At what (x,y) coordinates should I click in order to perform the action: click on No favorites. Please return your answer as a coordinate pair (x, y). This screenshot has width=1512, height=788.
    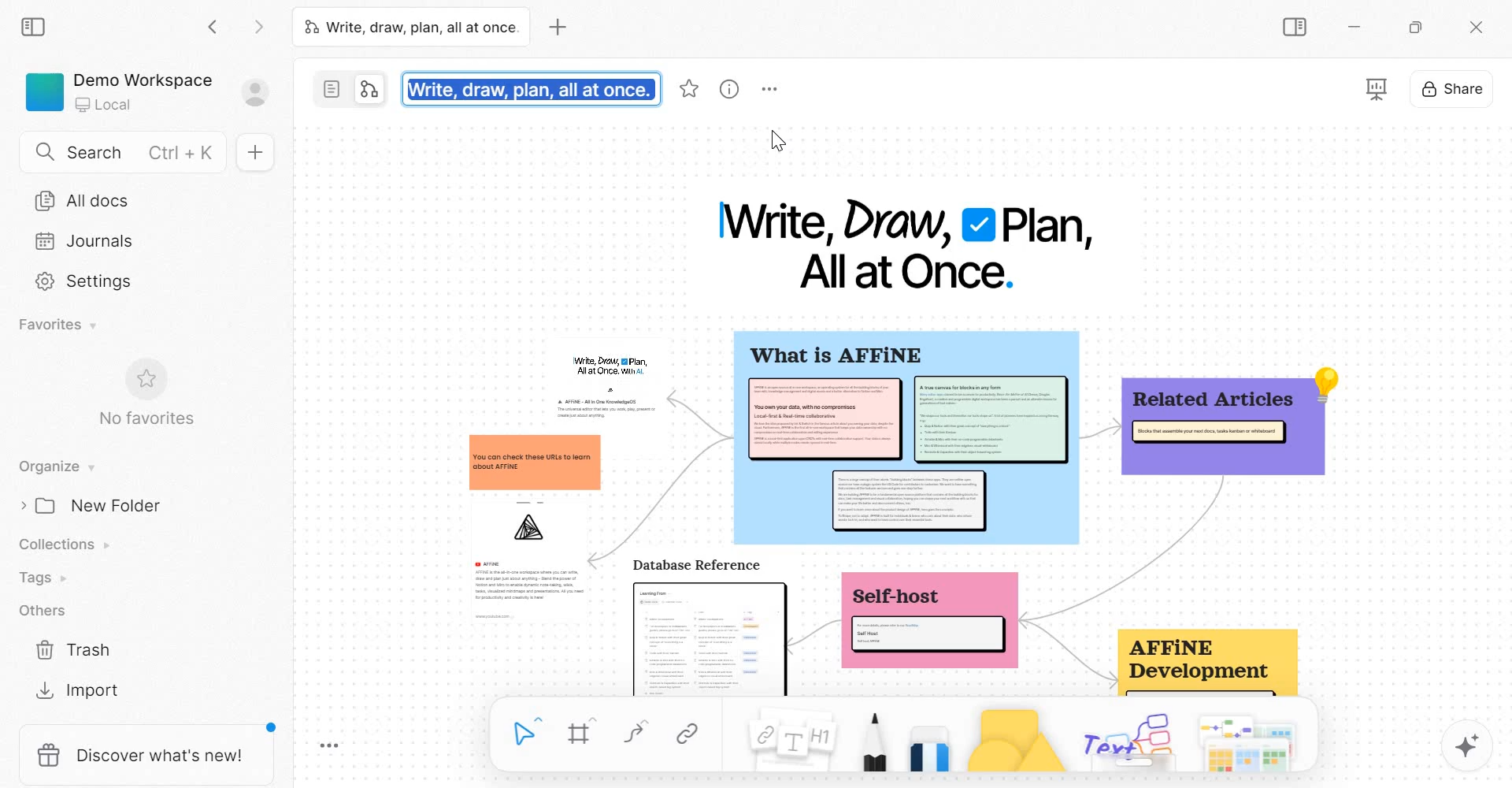
    Looking at the image, I should click on (146, 421).